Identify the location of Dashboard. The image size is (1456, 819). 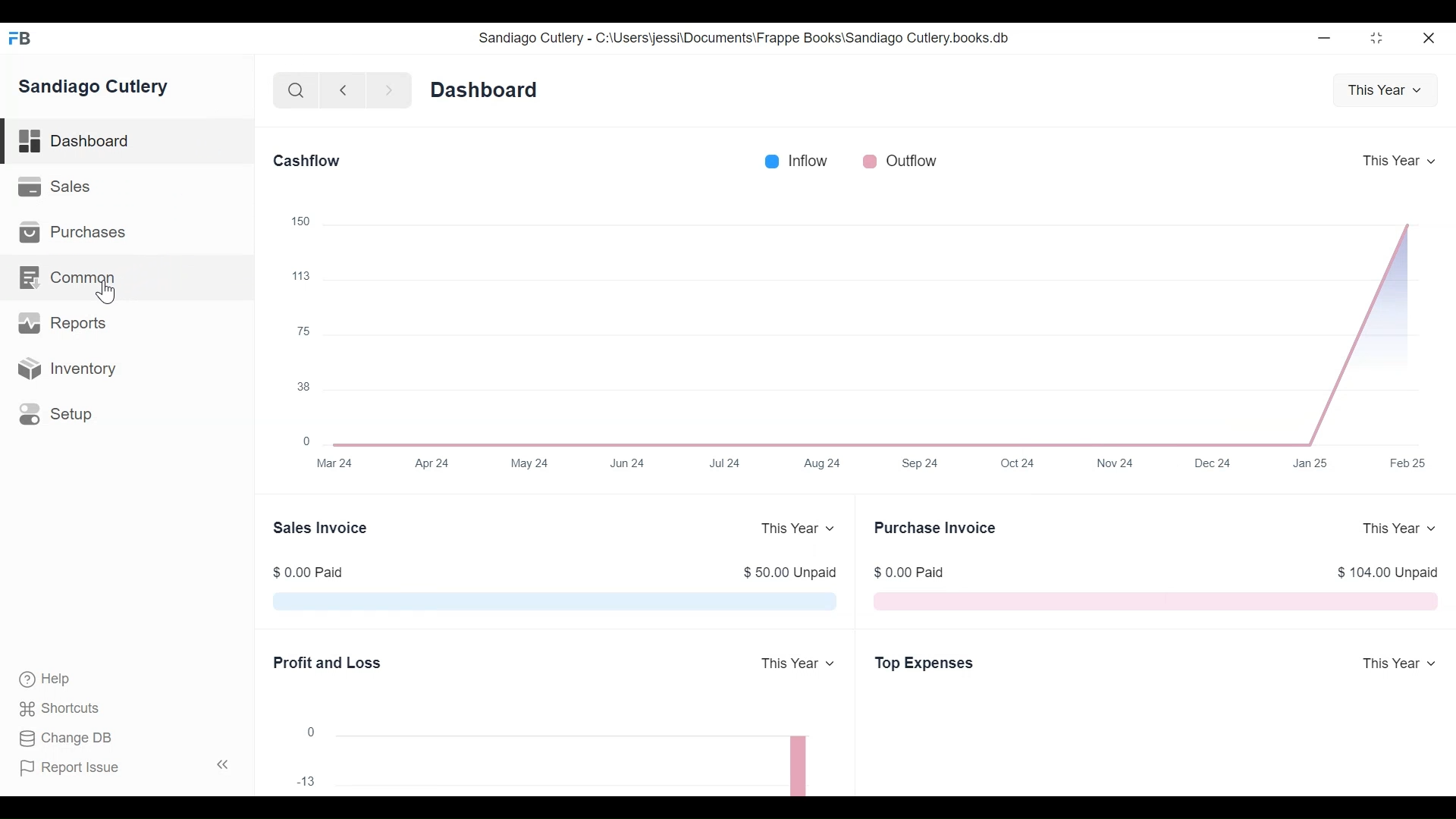
(485, 89).